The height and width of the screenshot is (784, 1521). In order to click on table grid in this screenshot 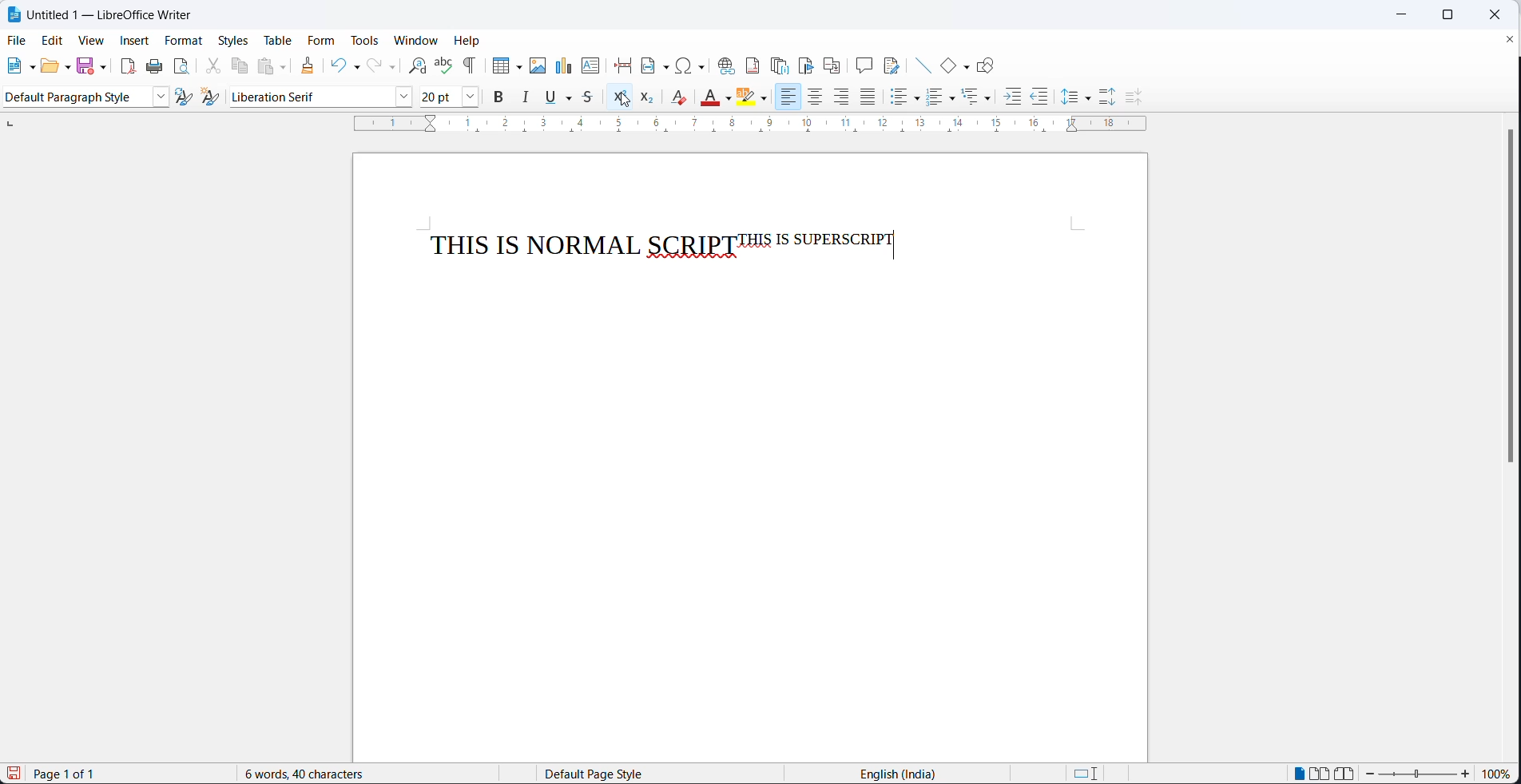, I will do `click(518, 67)`.